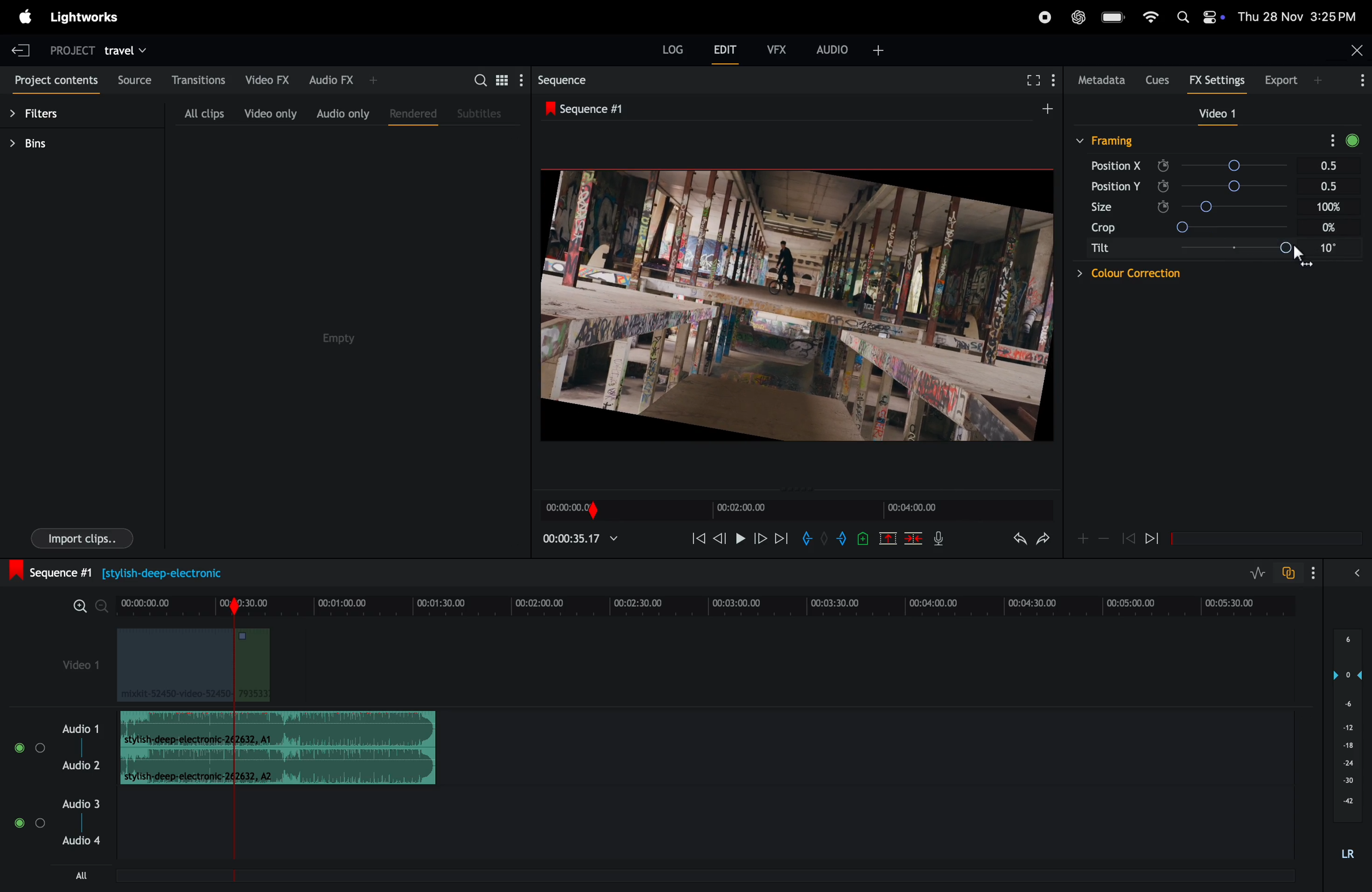 This screenshot has height=892, width=1372. What do you see at coordinates (1100, 81) in the screenshot?
I see `meta data` at bounding box center [1100, 81].